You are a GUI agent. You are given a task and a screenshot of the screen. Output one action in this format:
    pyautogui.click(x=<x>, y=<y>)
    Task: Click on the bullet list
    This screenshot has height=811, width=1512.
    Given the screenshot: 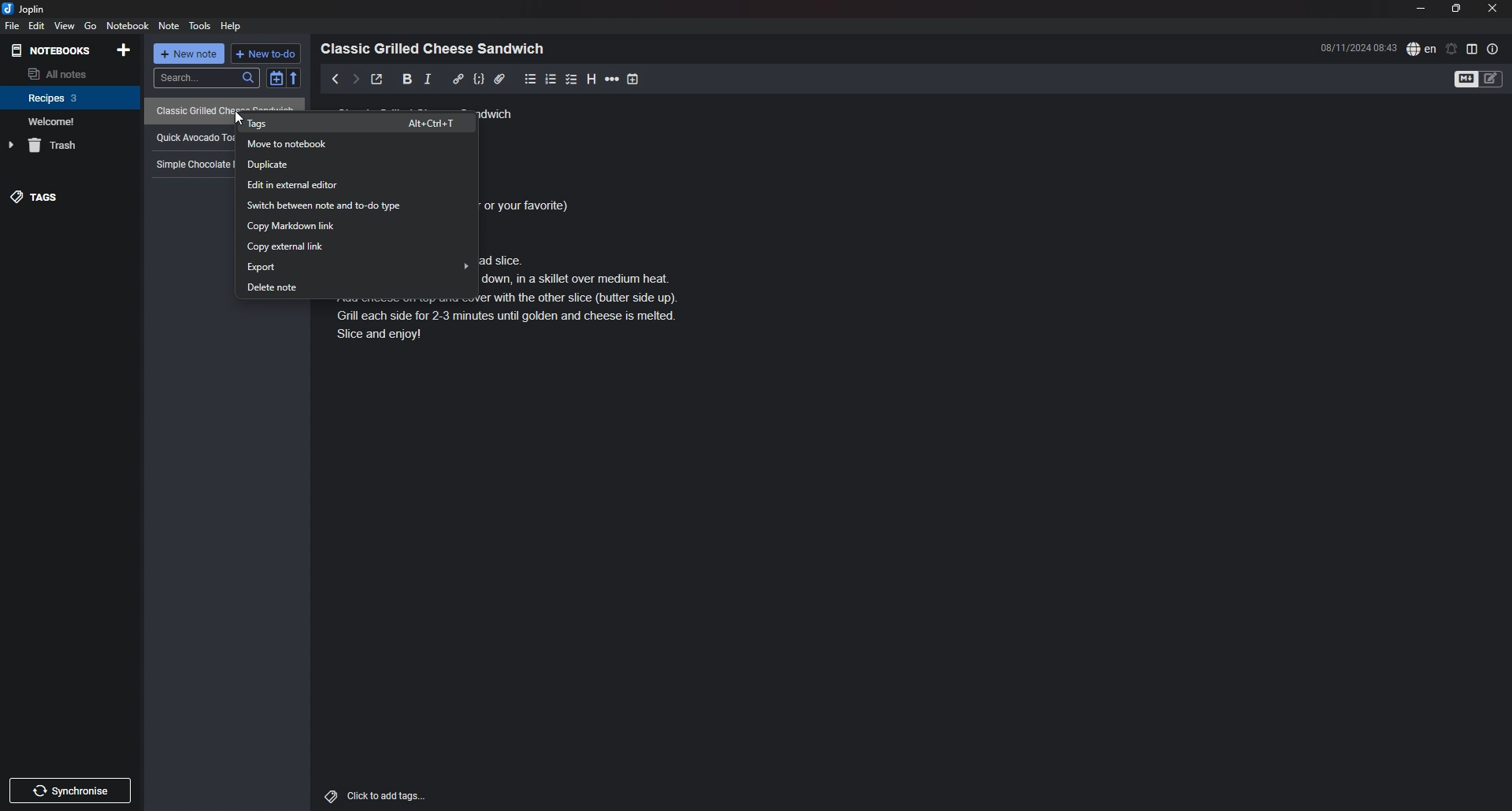 What is the action you would take?
    pyautogui.click(x=531, y=79)
    